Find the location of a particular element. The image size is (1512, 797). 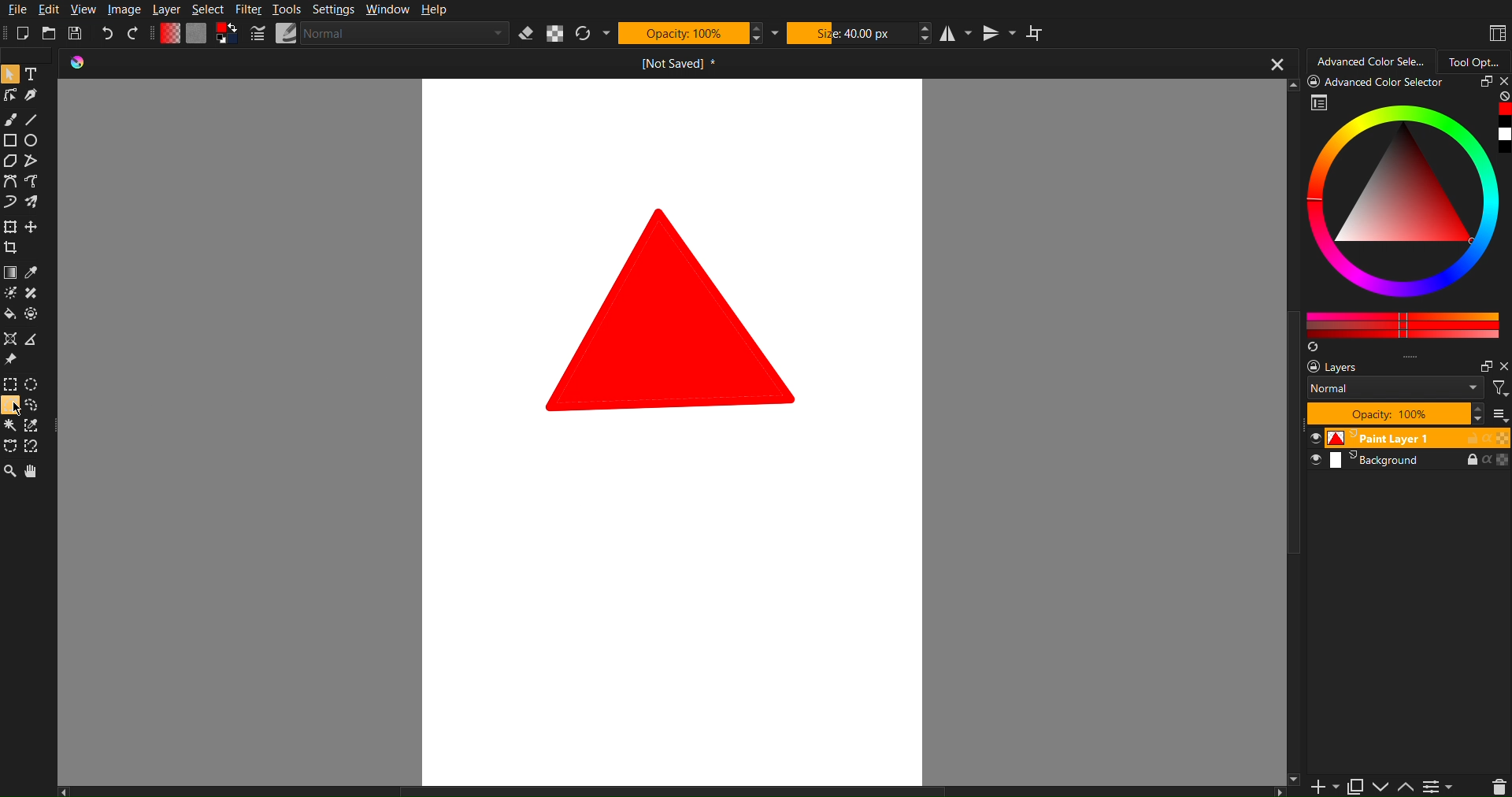

Picker is located at coordinates (9, 183).